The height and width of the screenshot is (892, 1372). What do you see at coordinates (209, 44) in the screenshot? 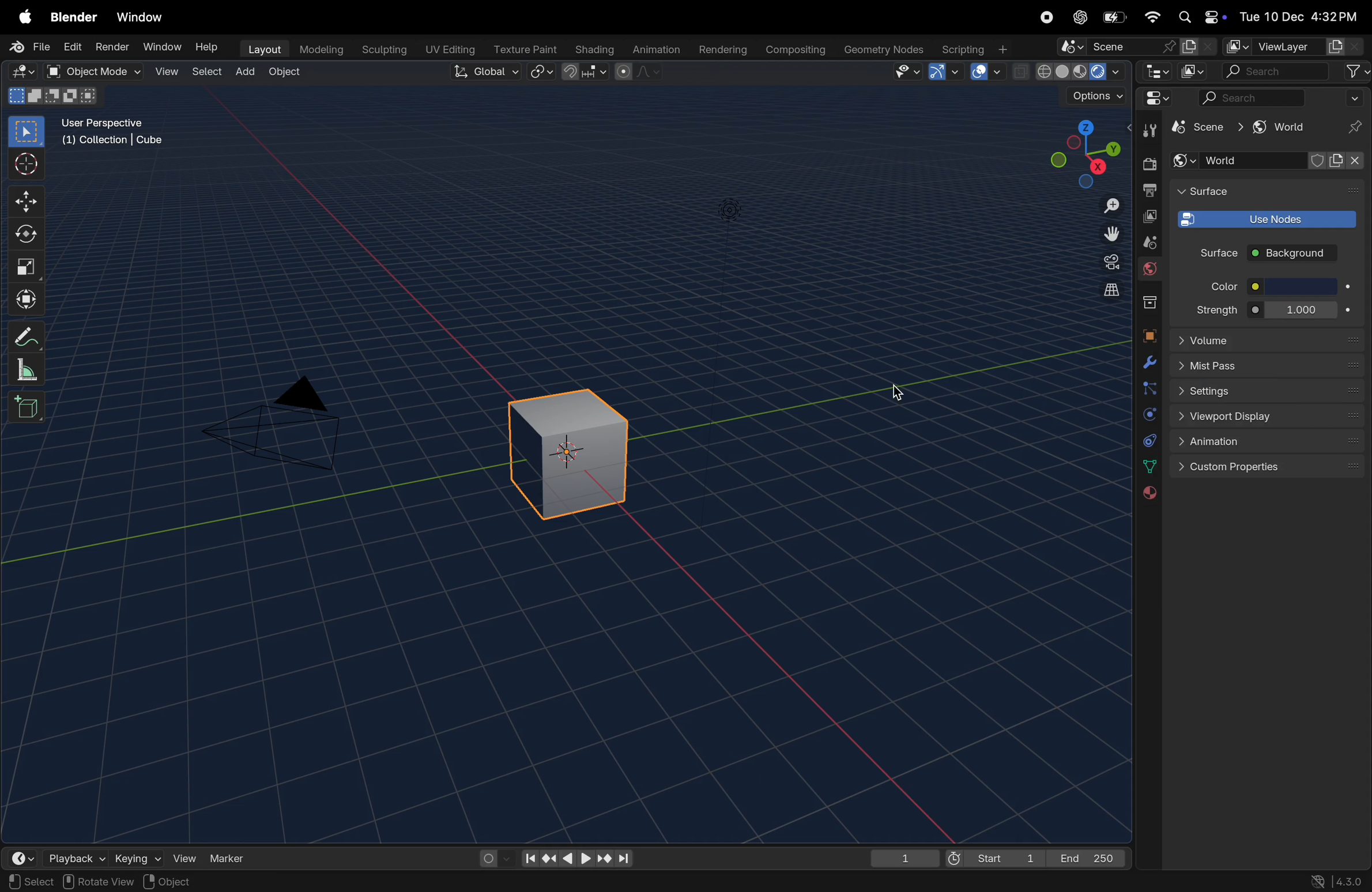
I see `Help` at bounding box center [209, 44].